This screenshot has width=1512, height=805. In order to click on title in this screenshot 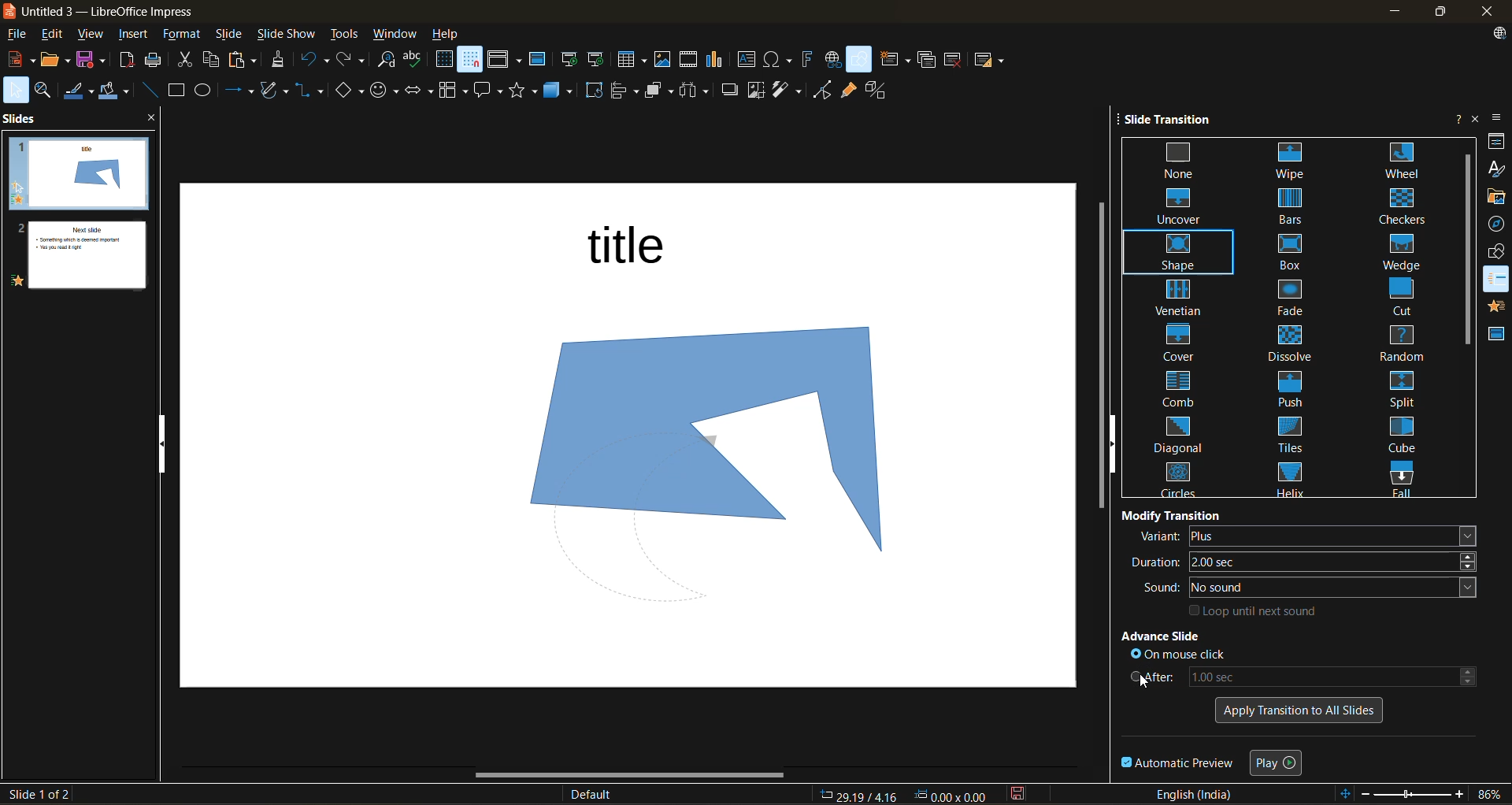, I will do `click(638, 250)`.